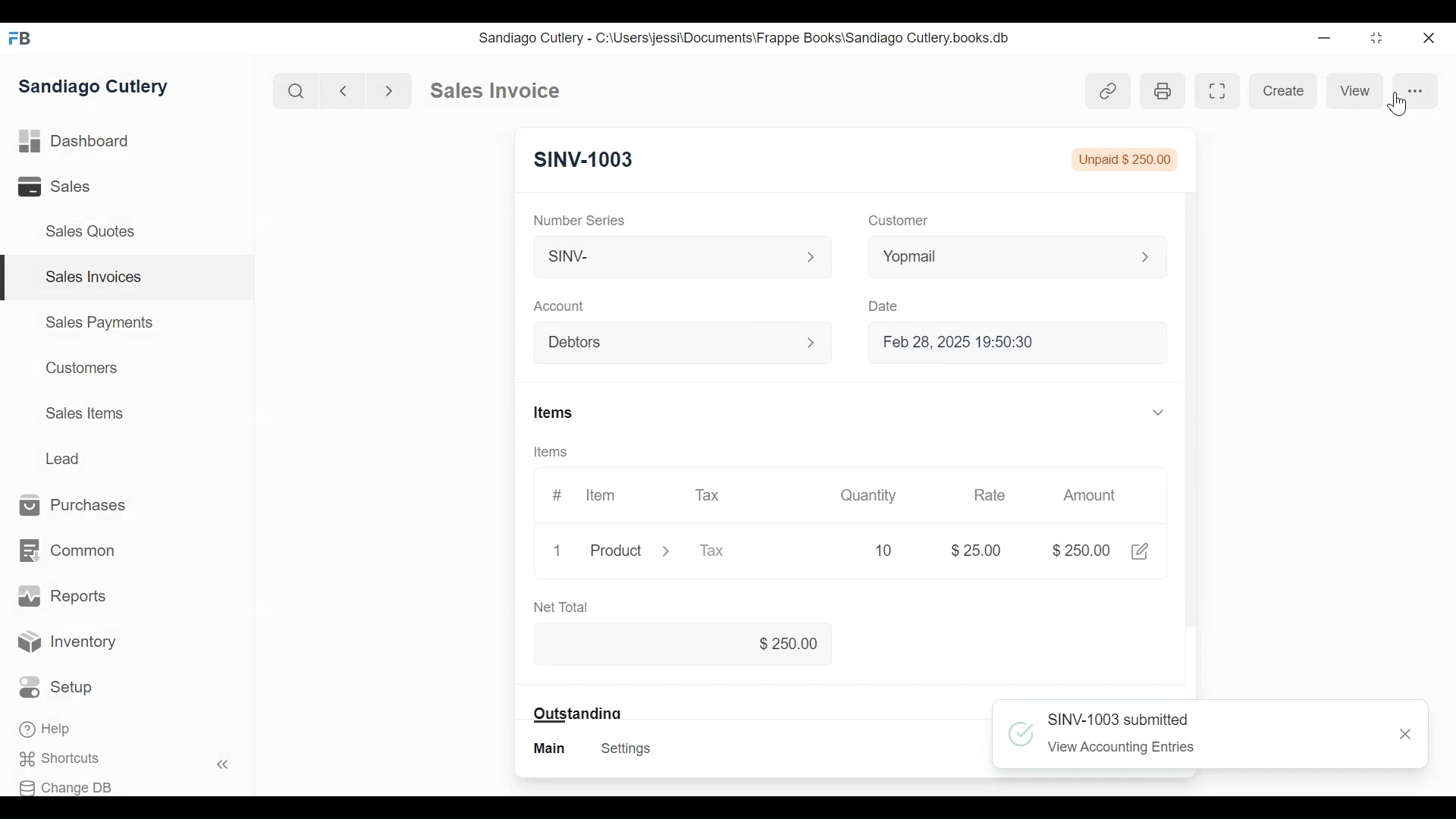 This screenshot has height=819, width=1456. Describe the element at coordinates (681, 260) in the screenshot. I see `SINV-` at that location.